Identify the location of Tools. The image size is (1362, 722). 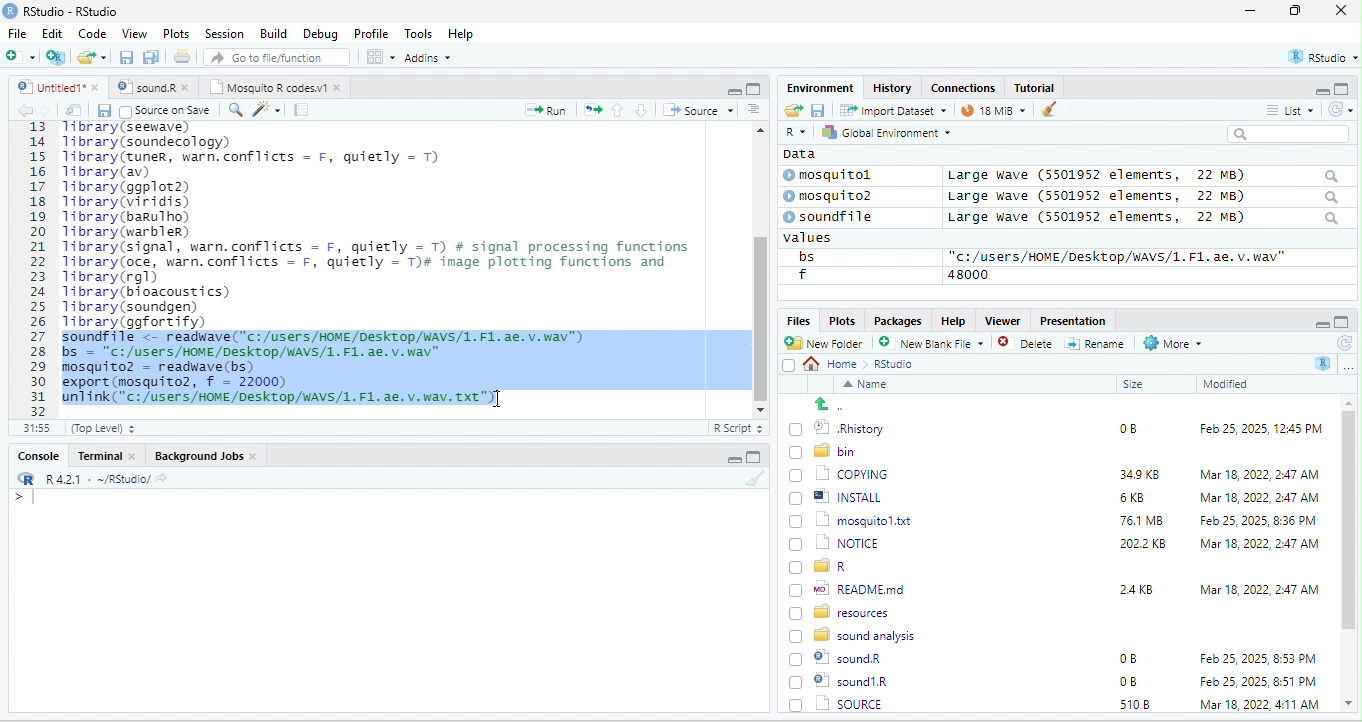
(419, 33).